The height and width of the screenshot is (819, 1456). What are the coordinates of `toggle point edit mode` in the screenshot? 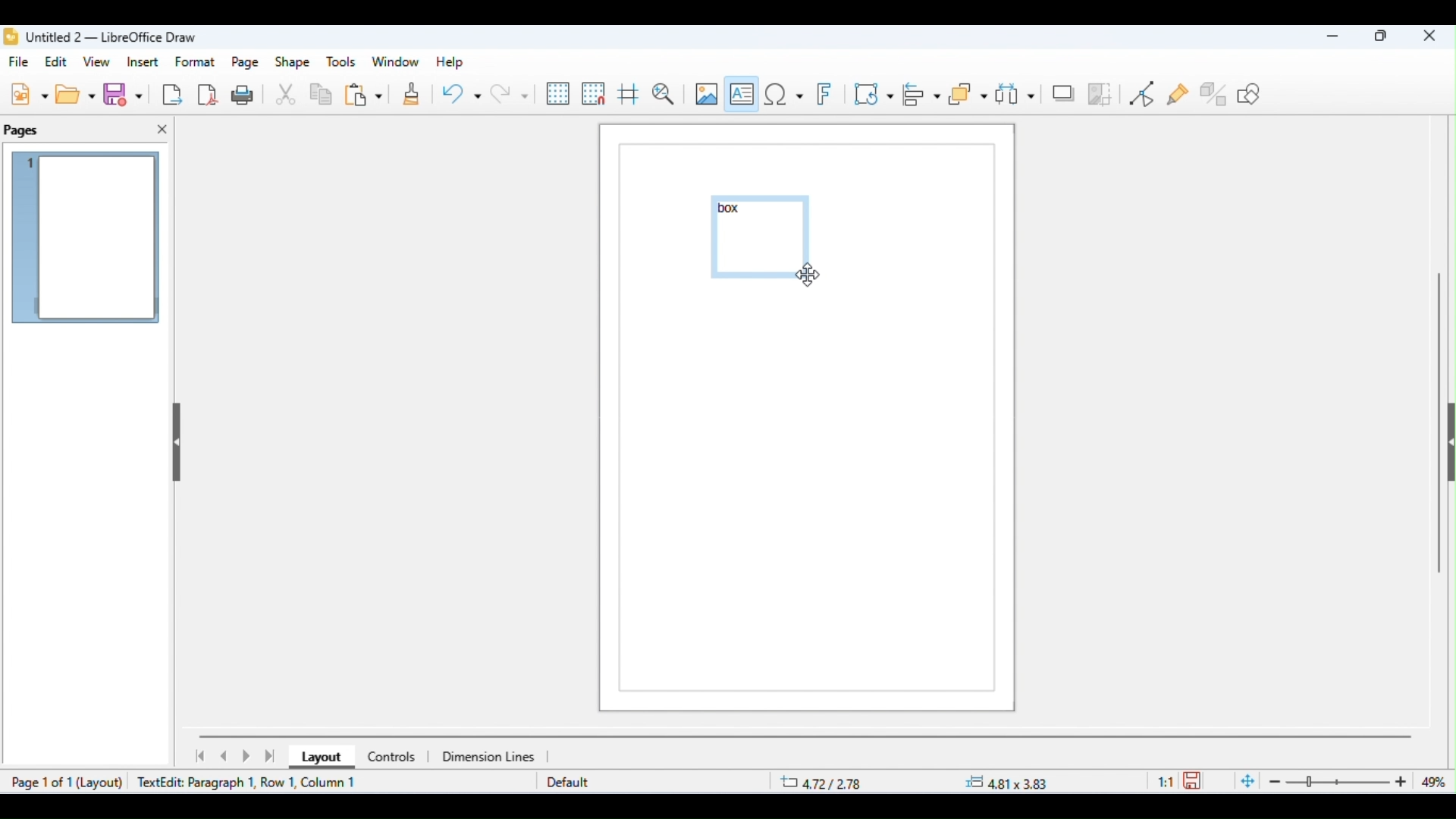 It's located at (1145, 94).